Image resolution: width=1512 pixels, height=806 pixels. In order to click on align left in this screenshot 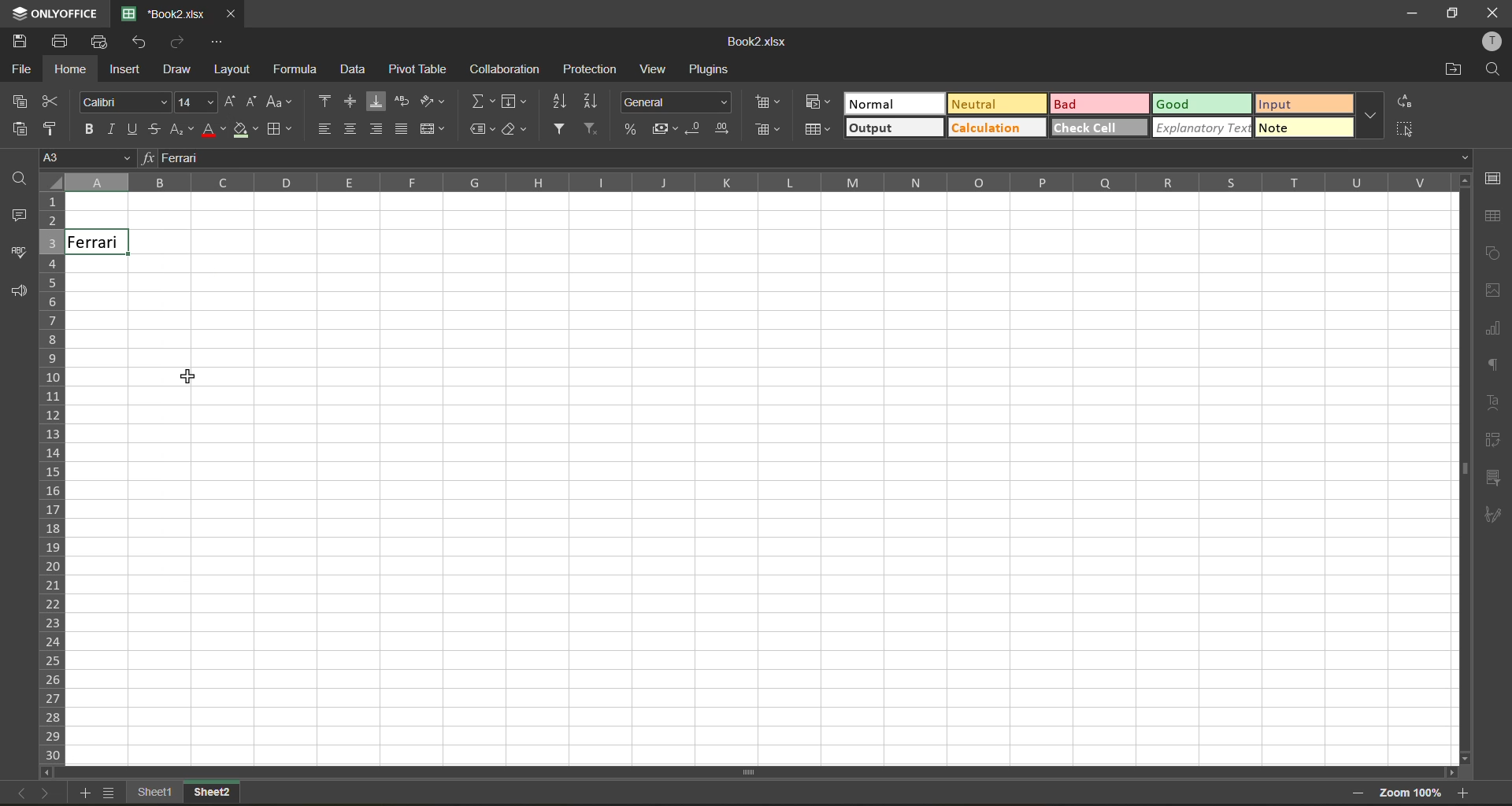, I will do `click(322, 128)`.